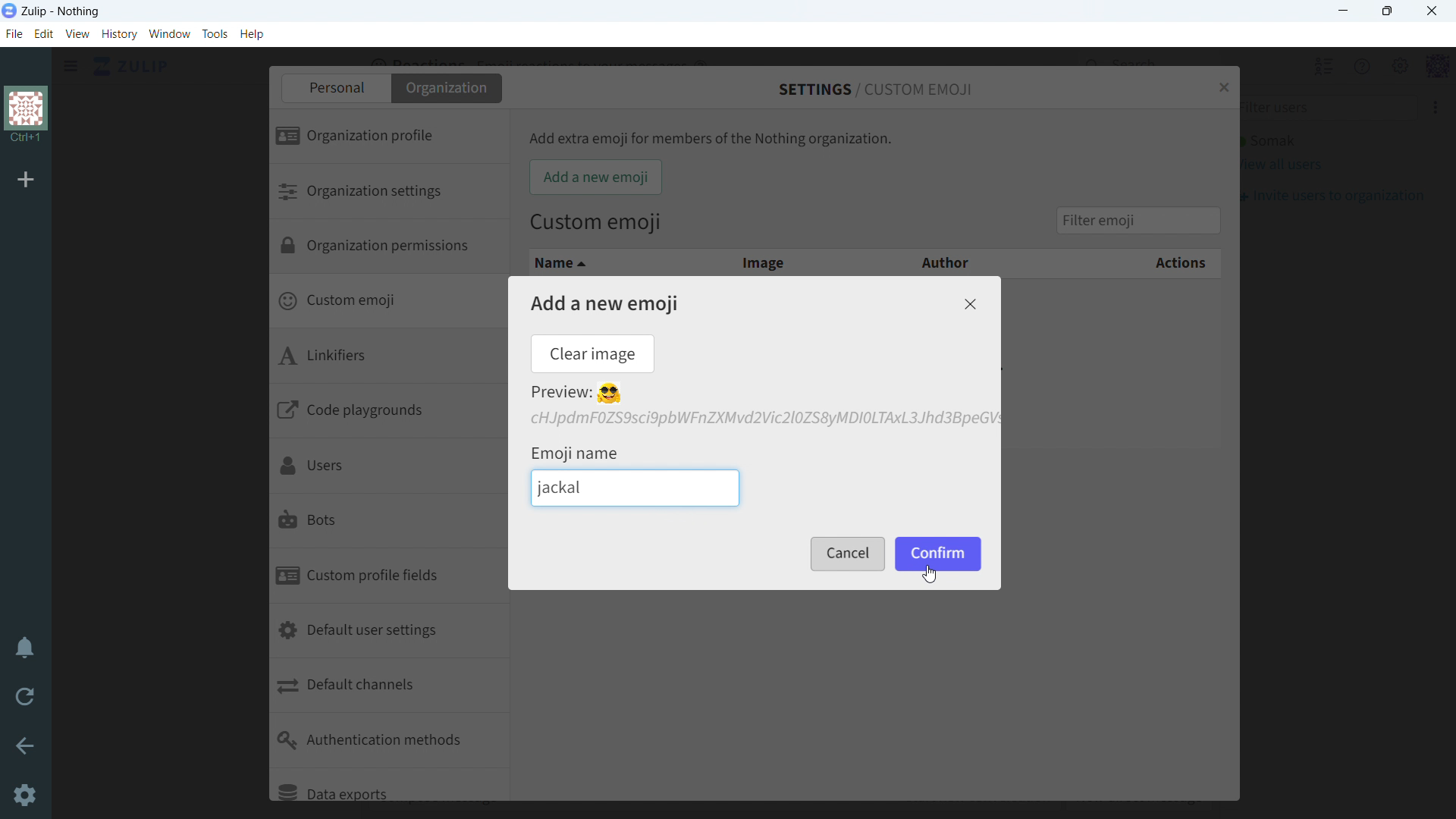 This screenshot has height=819, width=1456. I want to click on close, so click(1431, 11).